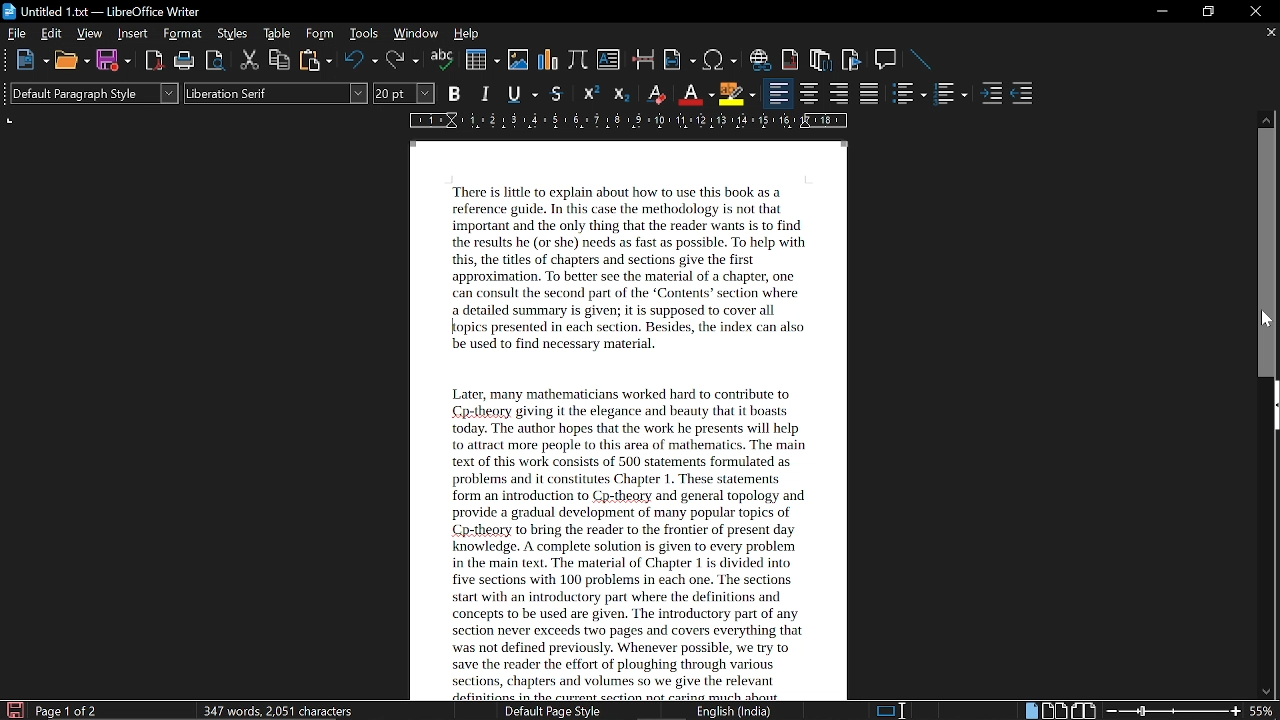 This screenshot has height=720, width=1280. Describe the element at coordinates (549, 62) in the screenshot. I see `insert chart` at that location.